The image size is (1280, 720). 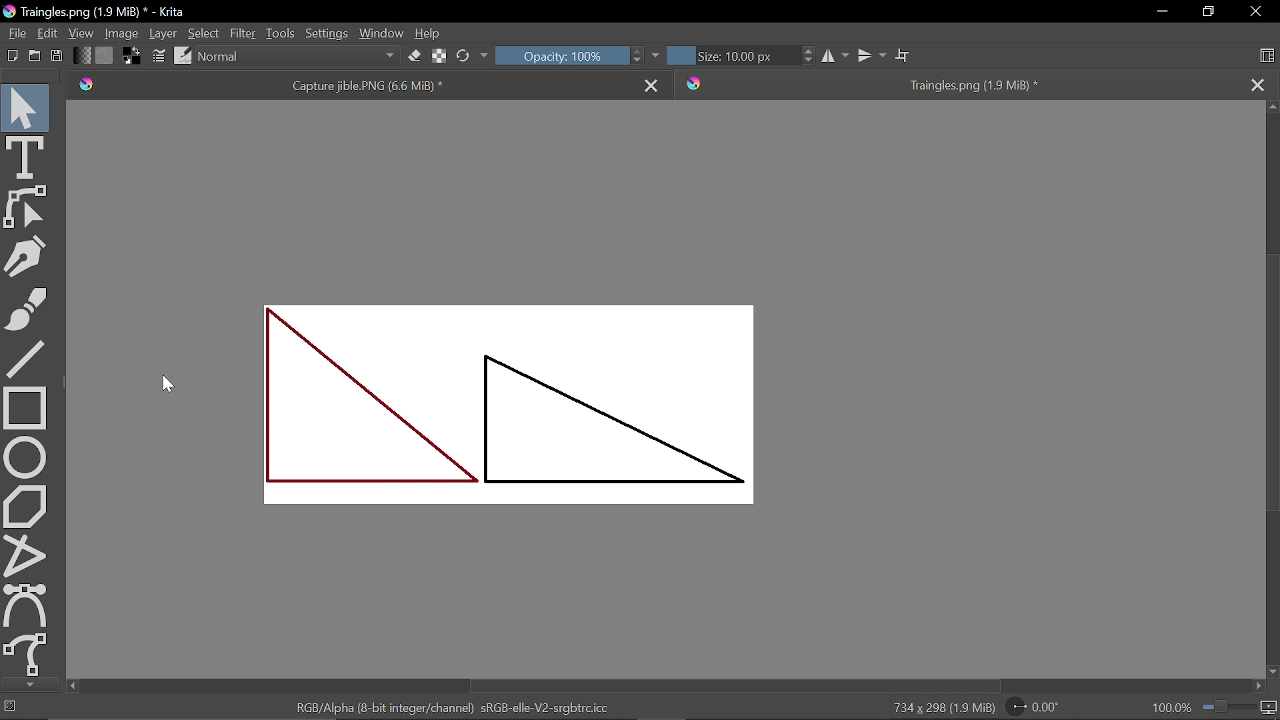 I want to click on Settings, so click(x=326, y=33).